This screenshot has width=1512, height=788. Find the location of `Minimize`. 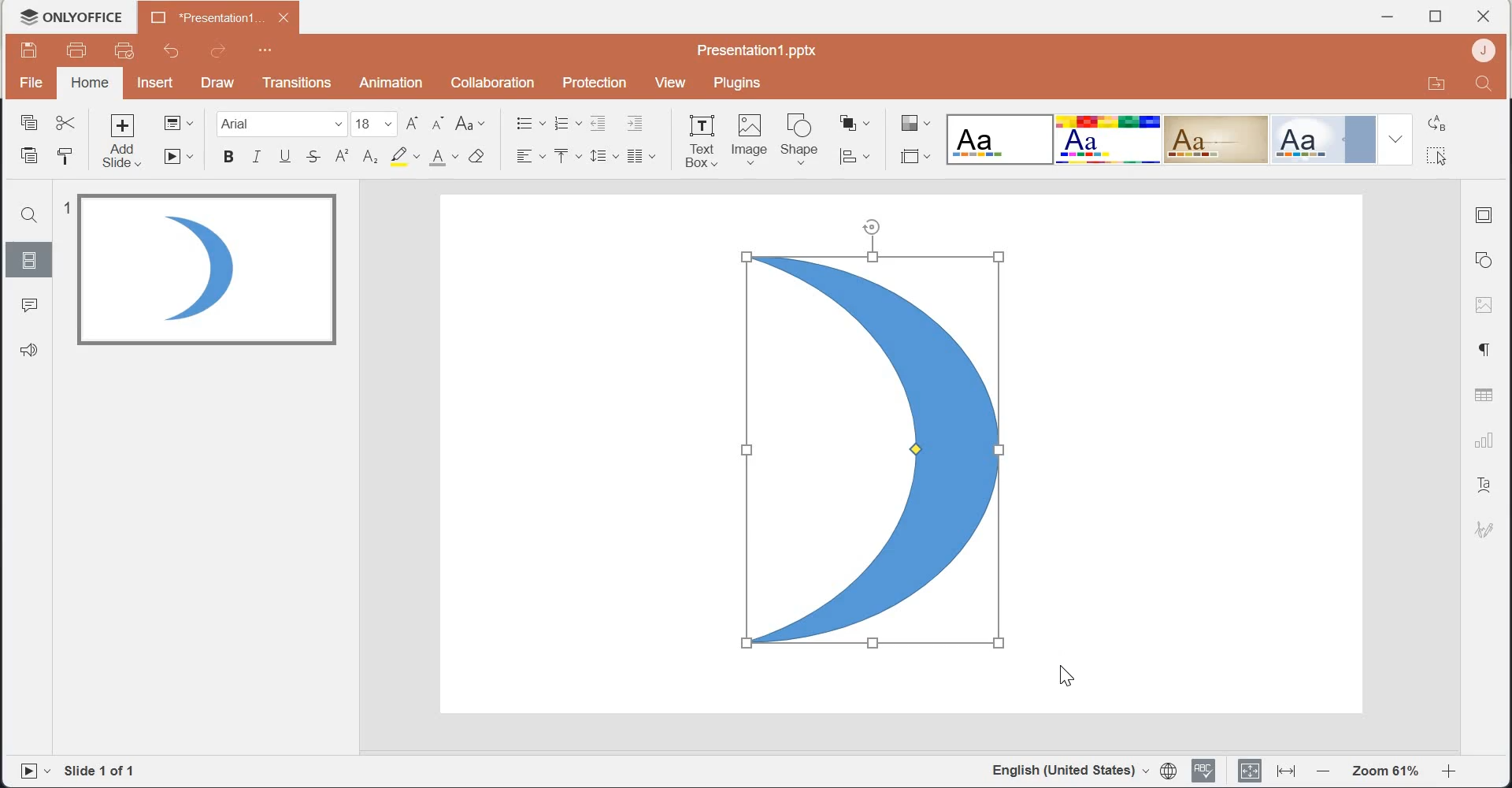

Minimize is located at coordinates (1388, 17).